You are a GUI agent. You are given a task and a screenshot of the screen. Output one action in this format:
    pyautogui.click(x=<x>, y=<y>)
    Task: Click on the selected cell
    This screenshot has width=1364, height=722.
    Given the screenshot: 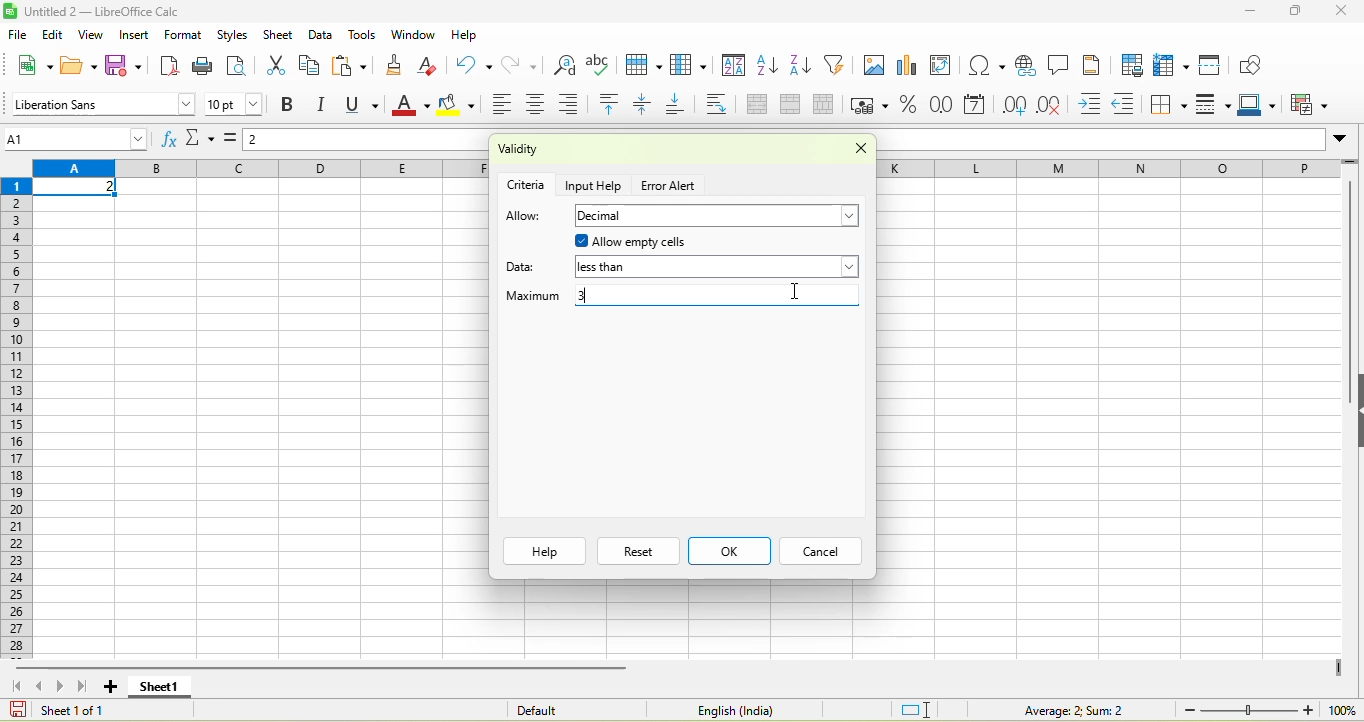 What is the action you would take?
    pyautogui.click(x=77, y=188)
    